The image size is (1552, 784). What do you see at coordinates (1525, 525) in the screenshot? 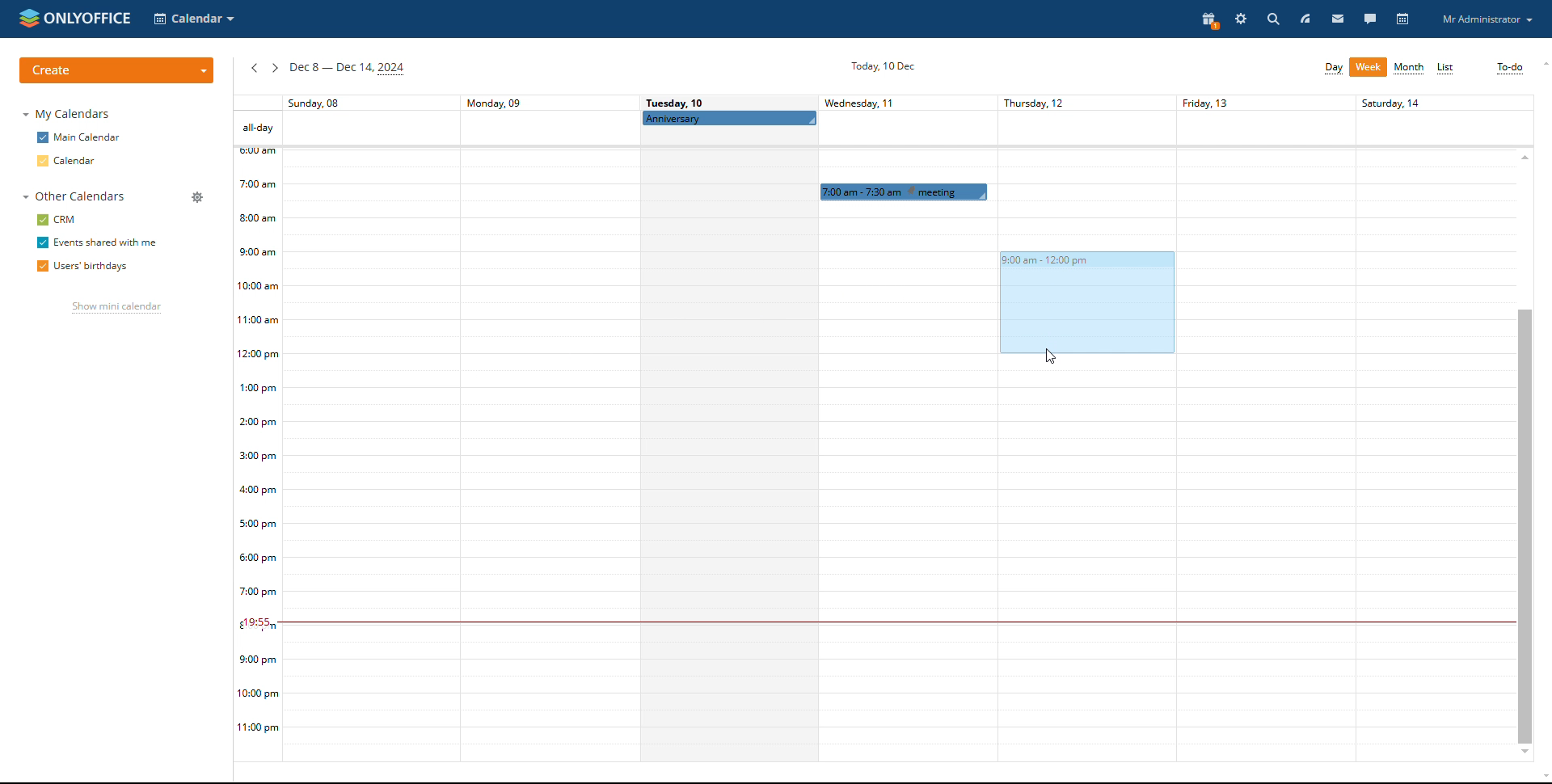
I see `scrollbar` at bounding box center [1525, 525].